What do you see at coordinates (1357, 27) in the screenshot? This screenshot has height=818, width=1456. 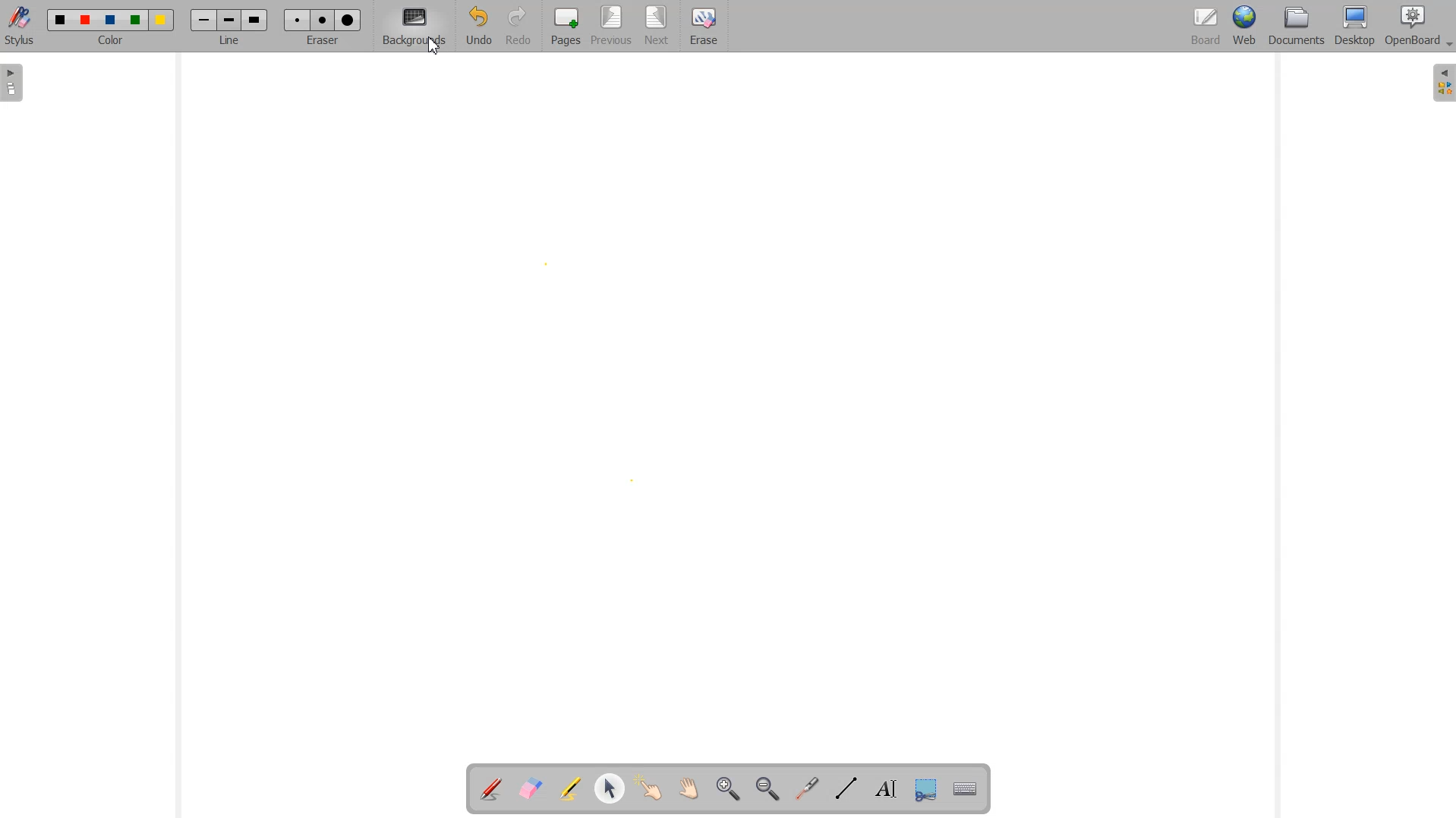 I see `Desktop` at bounding box center [1357, 27].